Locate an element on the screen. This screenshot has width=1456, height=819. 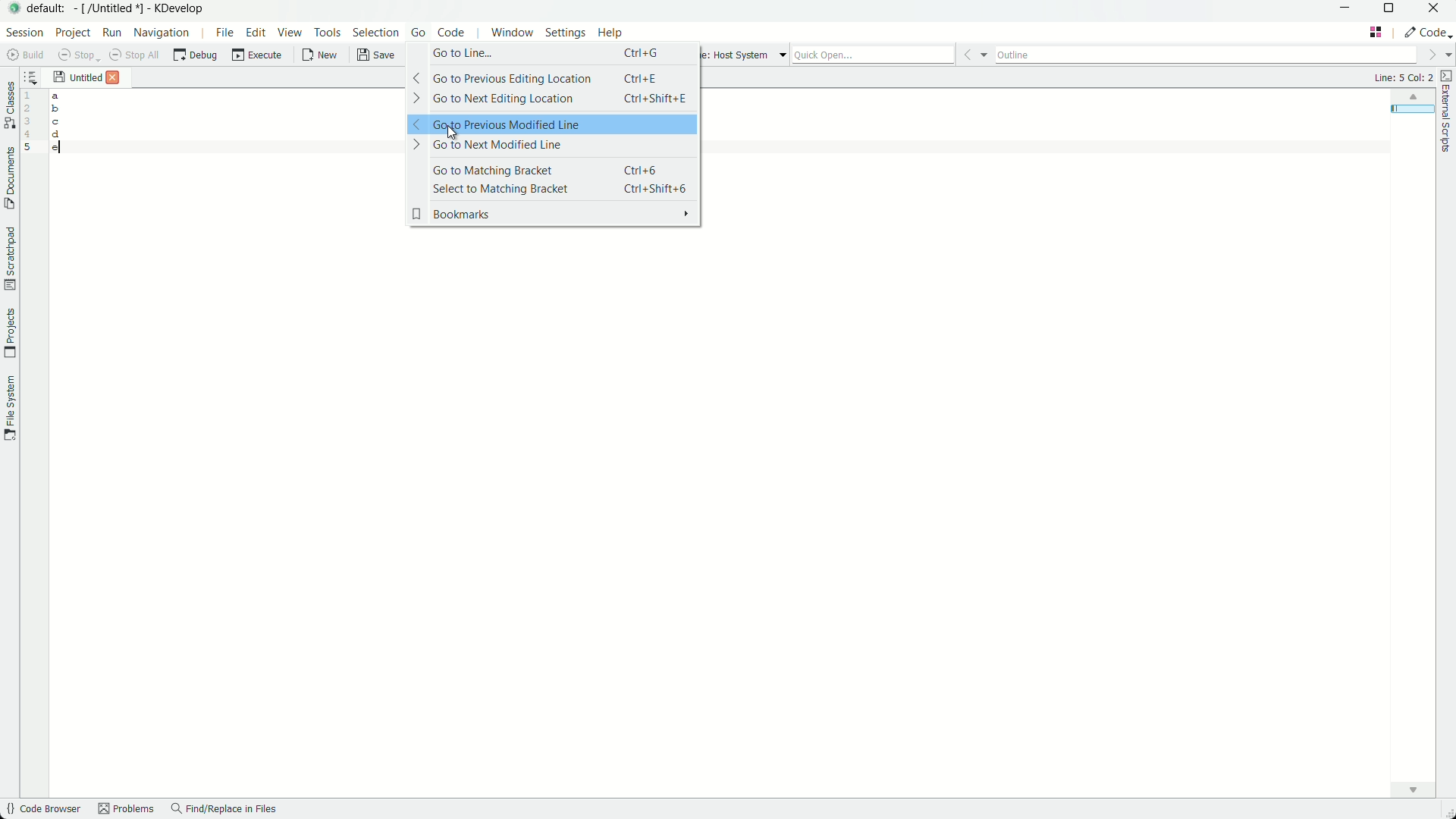
navigation is located at coordinates (162, 33).